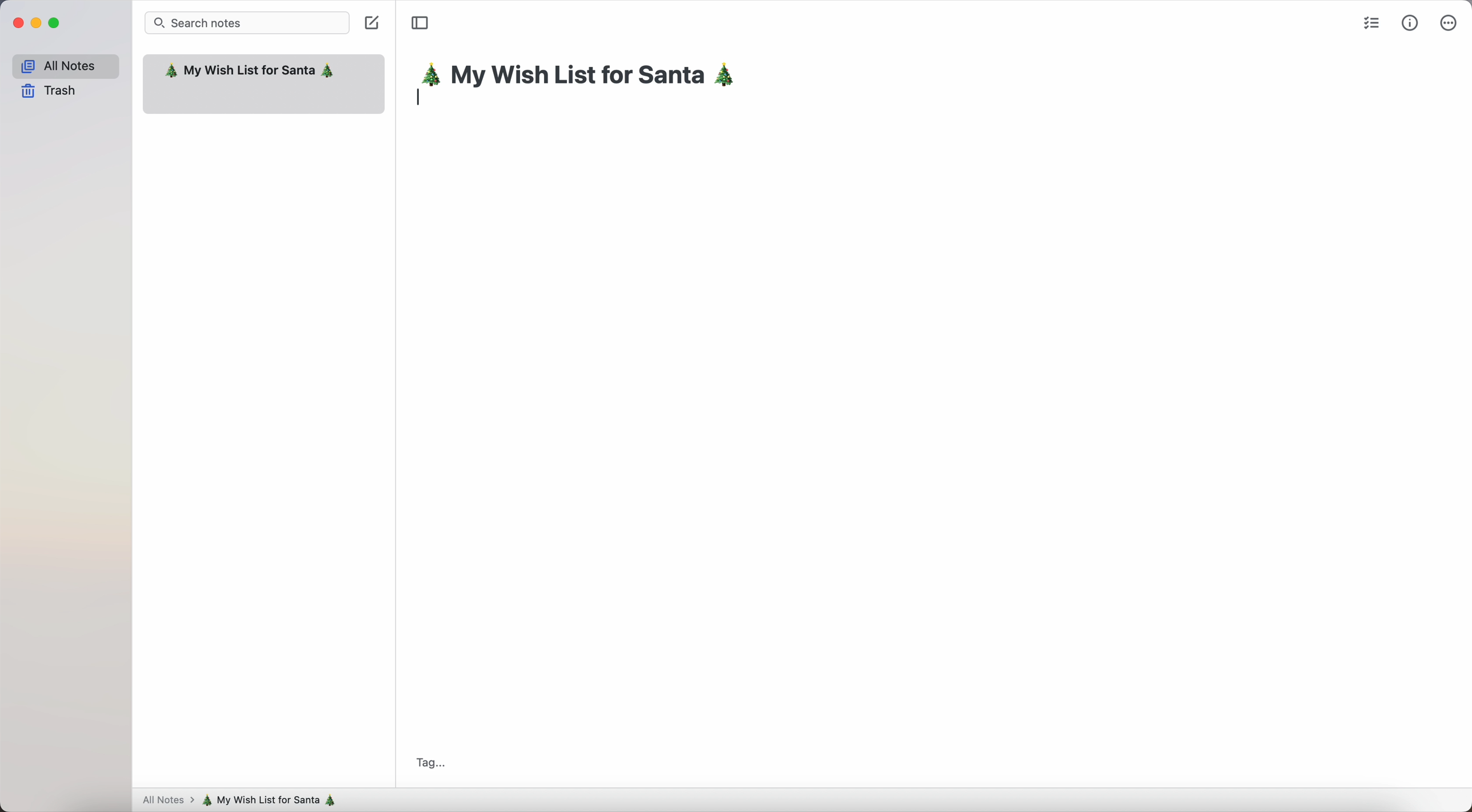 This screenshot has width=1472, height=812. I want to click on close Simplenote, so click(16, 23).